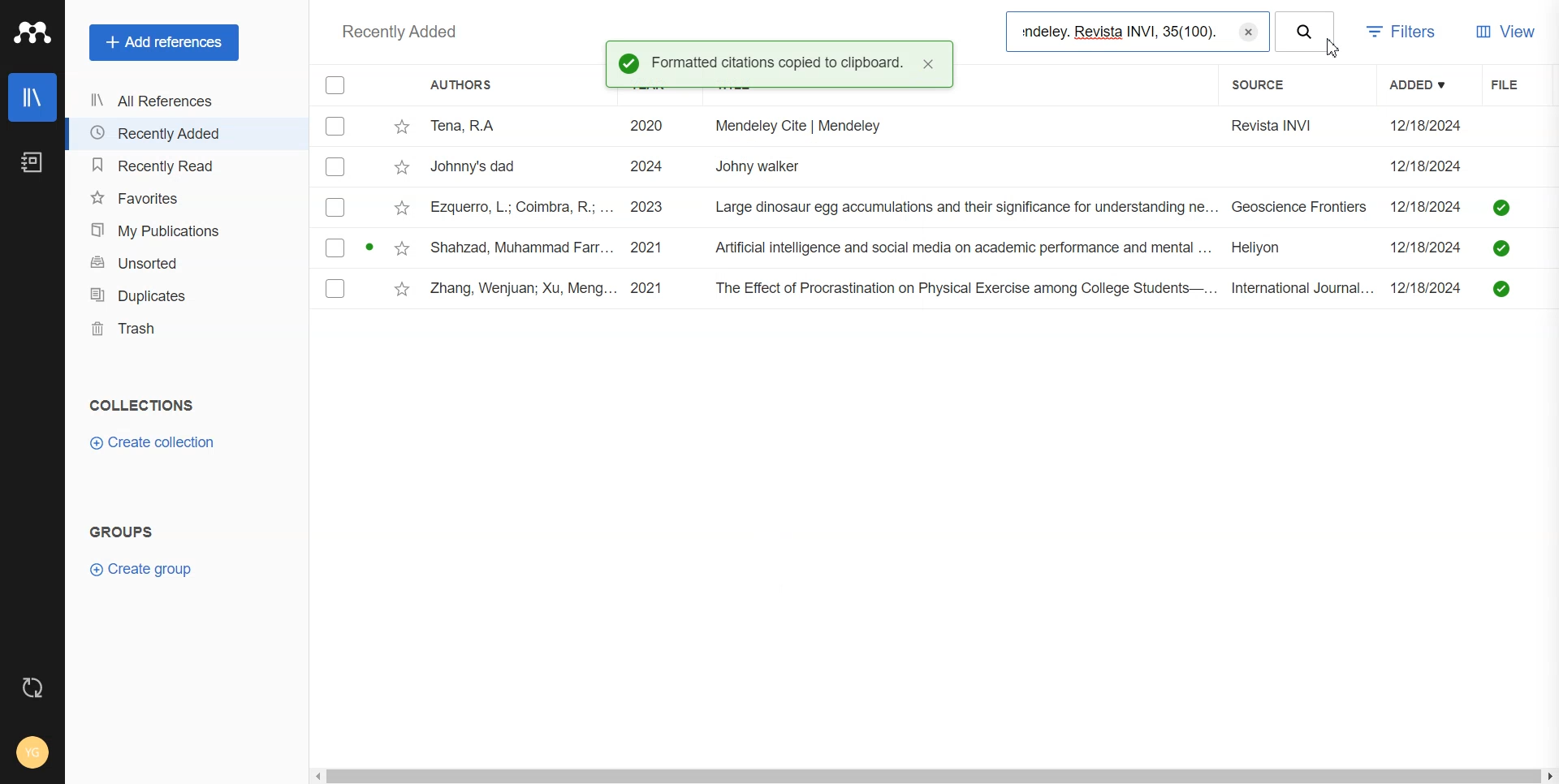 This screenshot has width=1559, height=784. Describe the element at coordinates (934, 777) in the screenshot. I see `Horizontal scroll bar` at that location.